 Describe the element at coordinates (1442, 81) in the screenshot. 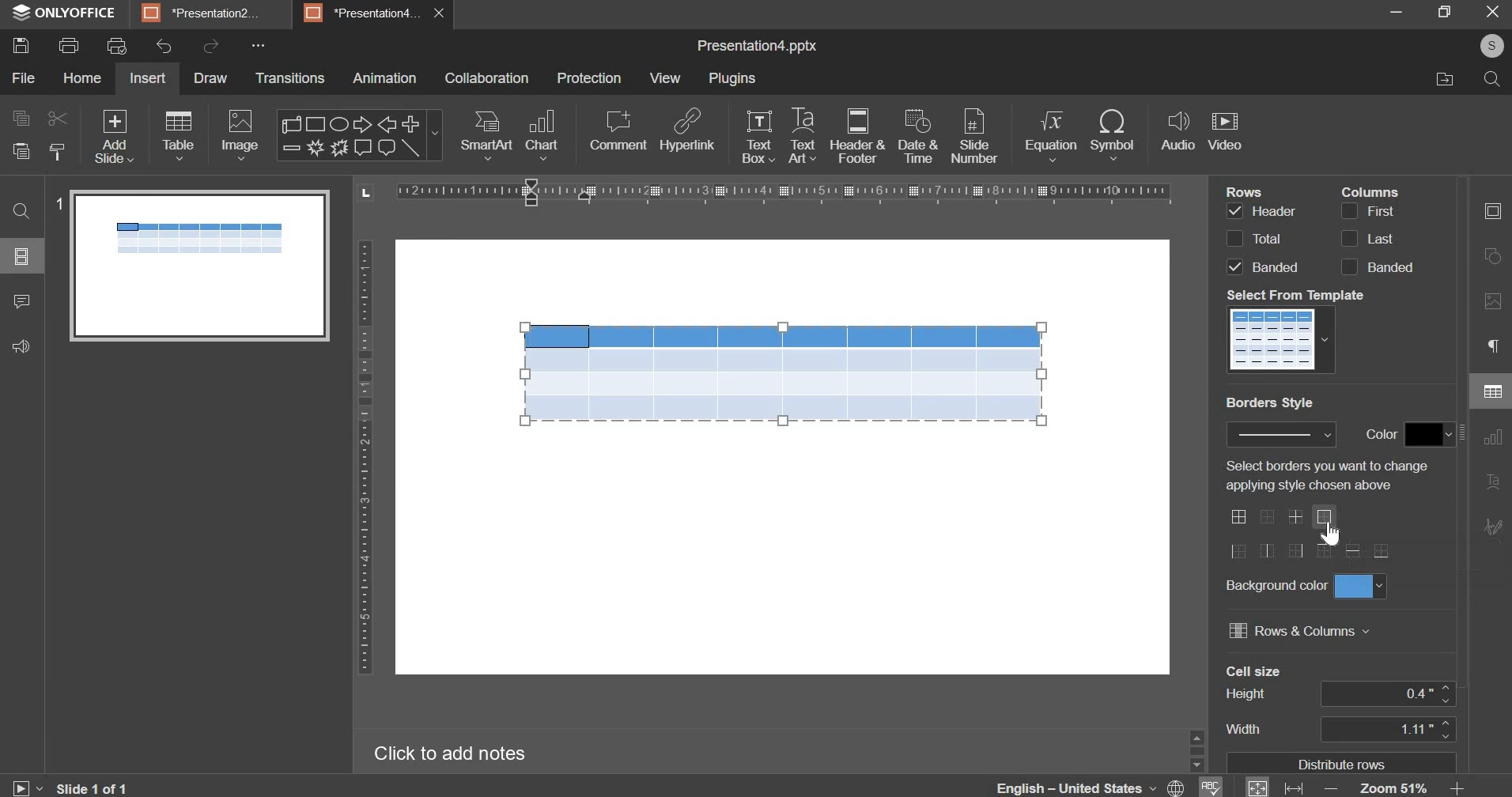

I see `file location` at that location.